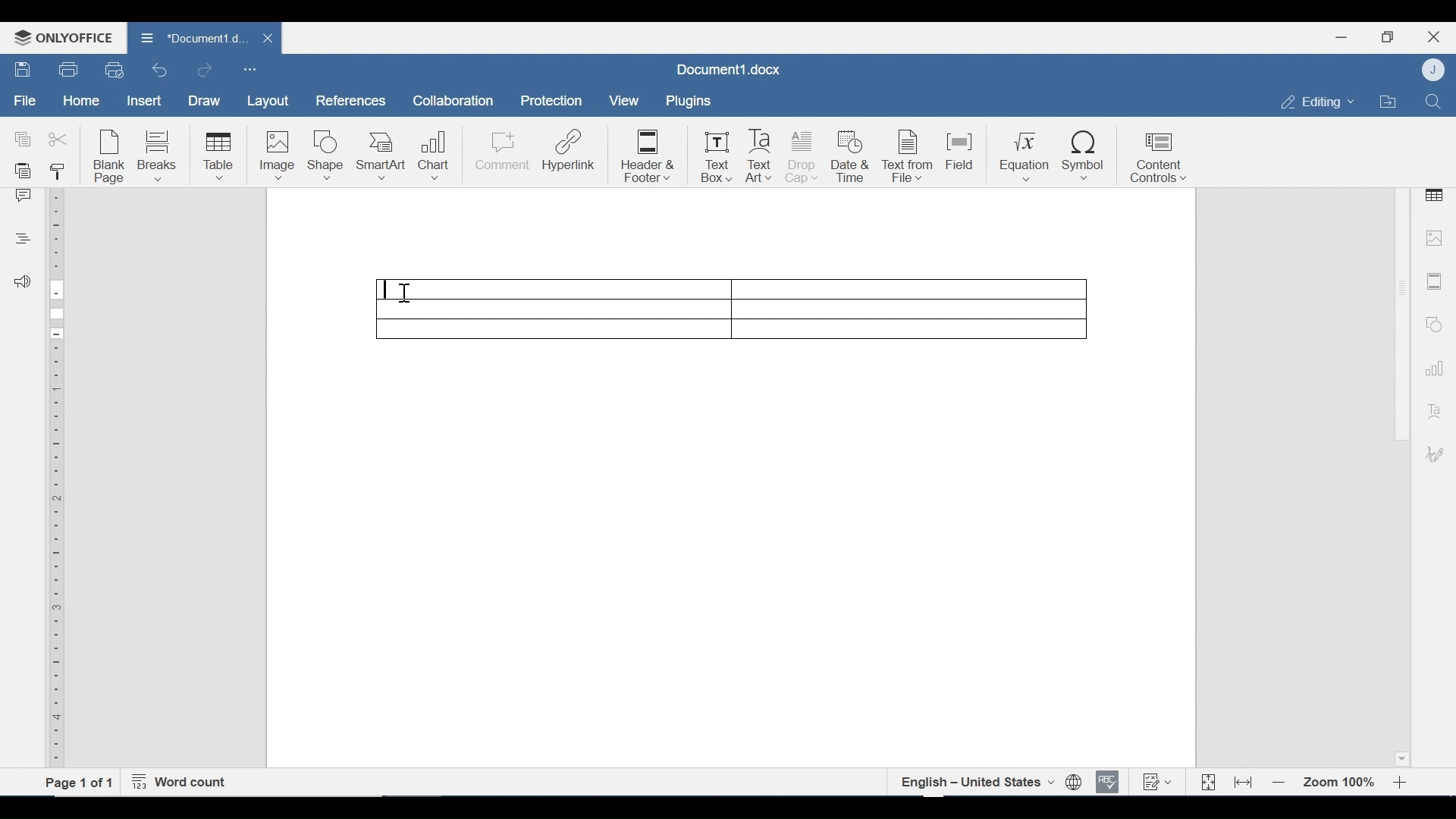 The width and height of the screenshot is (1456, 819). Describe the element at coordinates (1207, 783) in the screenshot. I see `Fit to Page` at that location.